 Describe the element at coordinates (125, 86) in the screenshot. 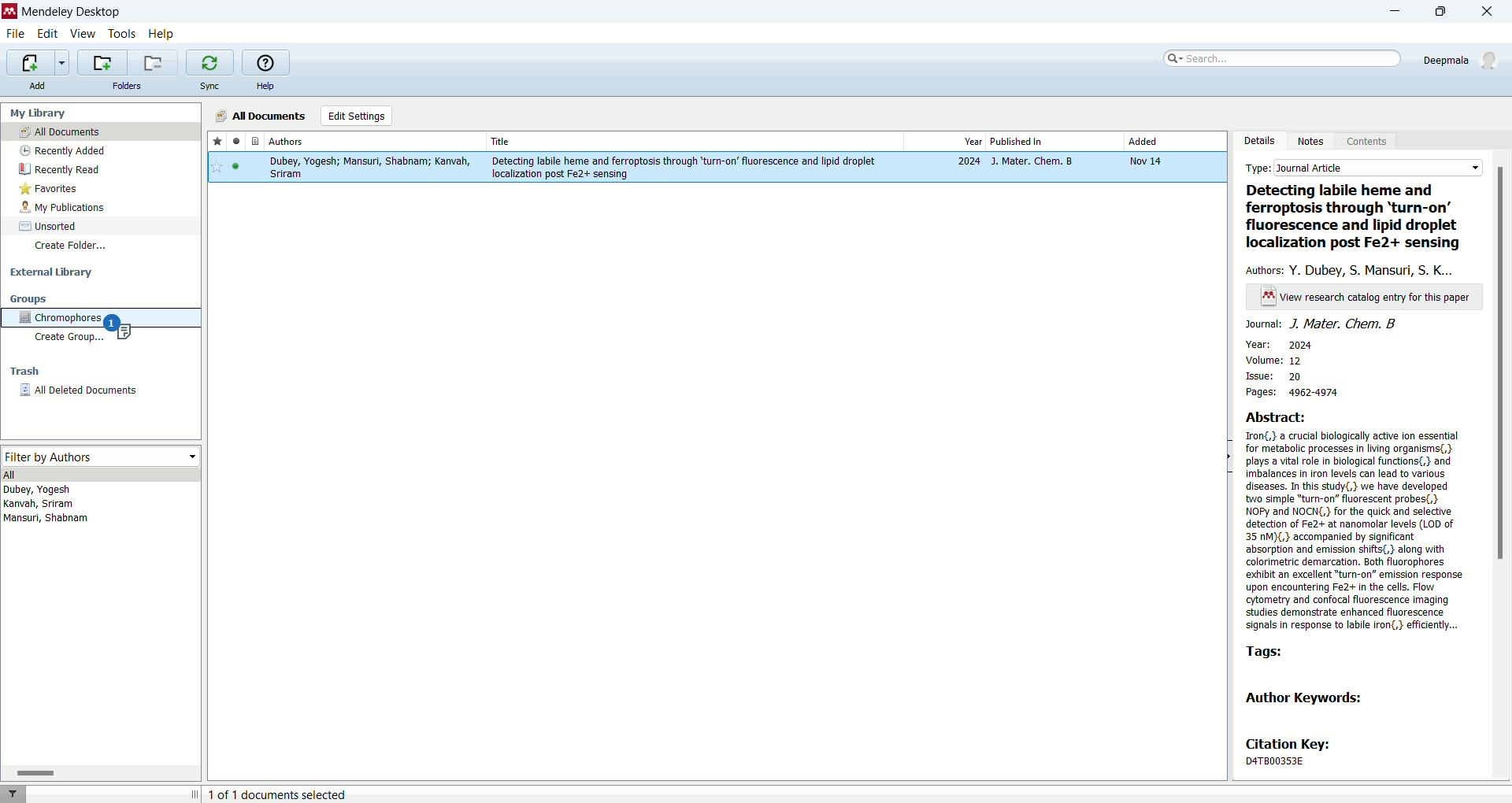

I see `folders` at that location.